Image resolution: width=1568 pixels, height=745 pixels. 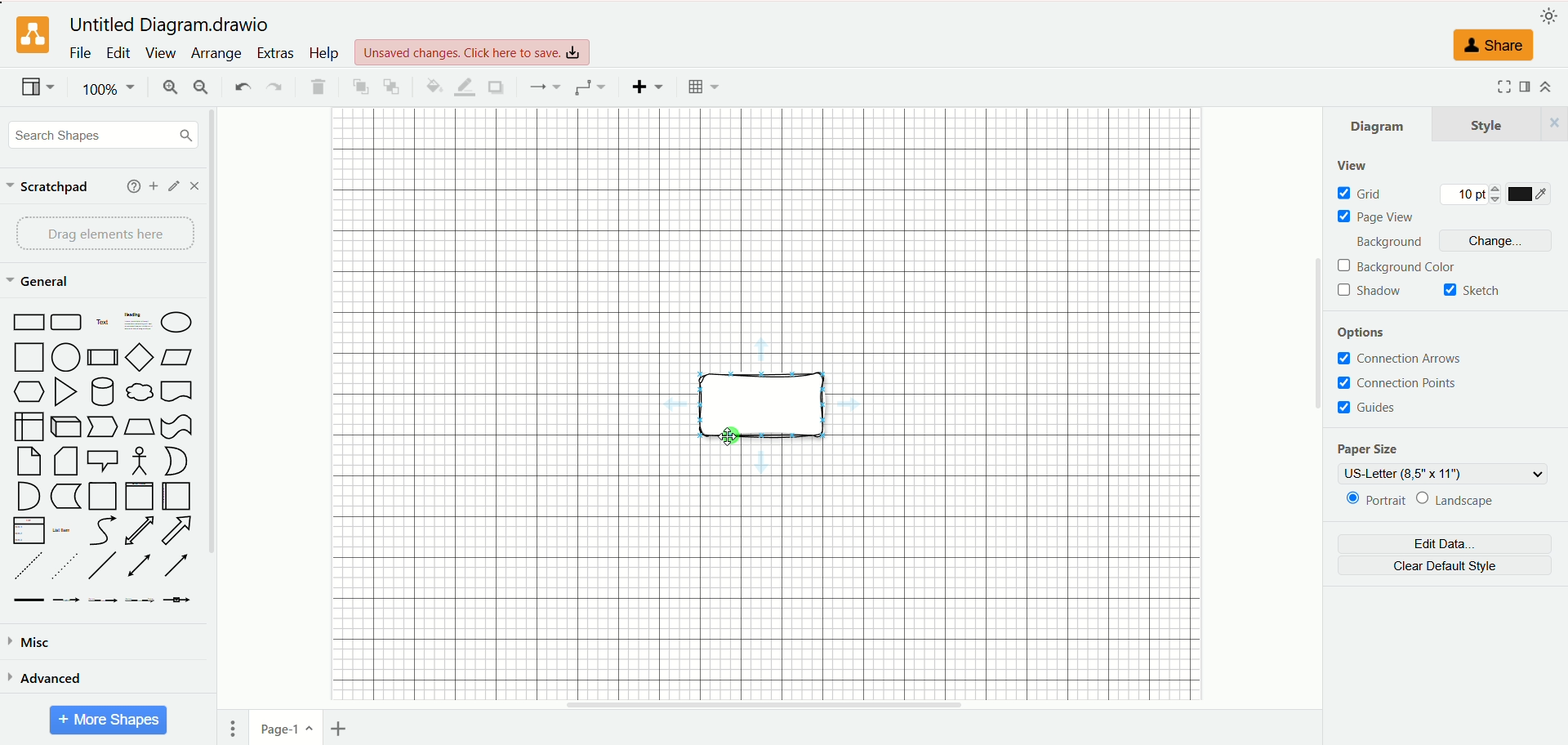 What do you see at coordinates (30, 36) in the screenshot?
I see `logo` at bounding box center [30, 36].